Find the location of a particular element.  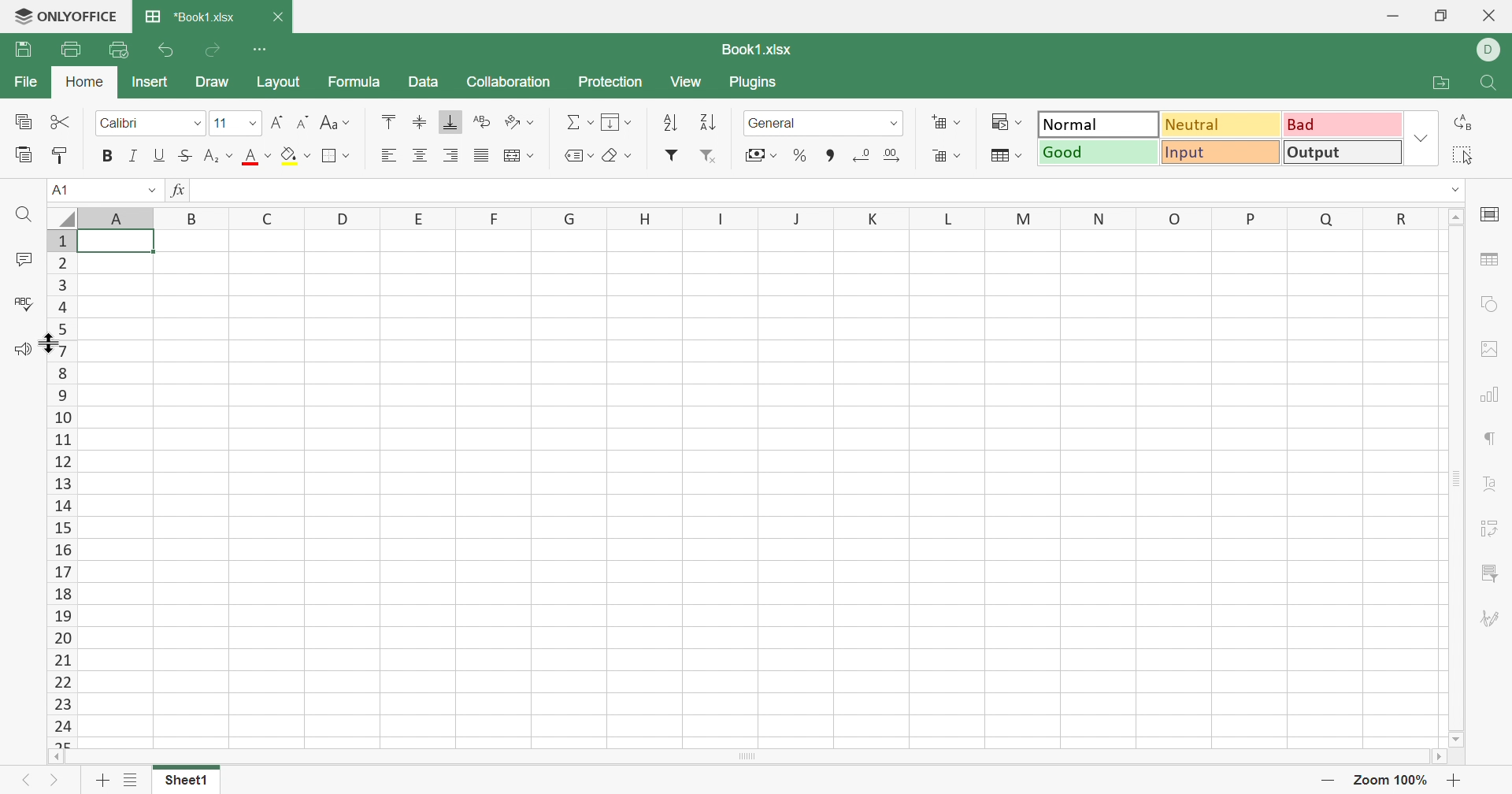

Align Middle is located at coordinates (420, 124).